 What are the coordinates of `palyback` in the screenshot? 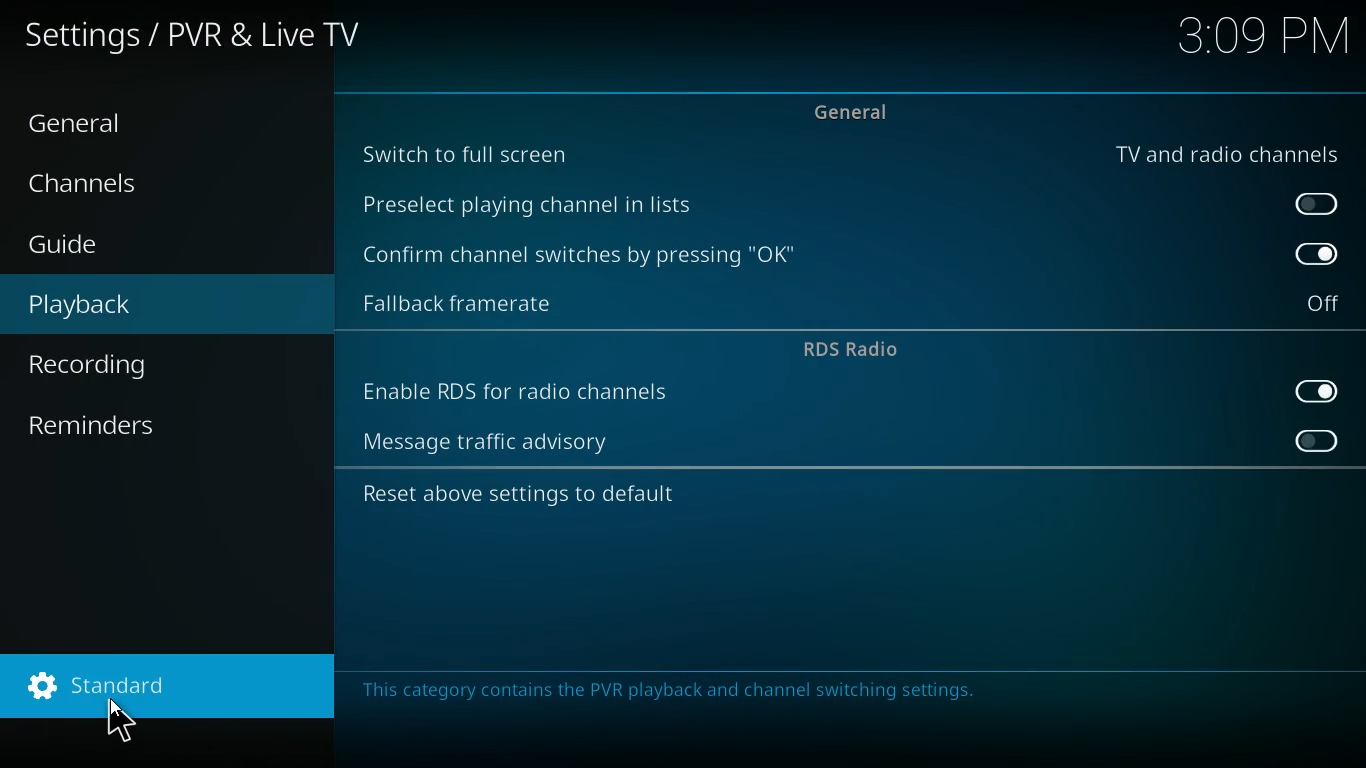 It's located at (102, 305).